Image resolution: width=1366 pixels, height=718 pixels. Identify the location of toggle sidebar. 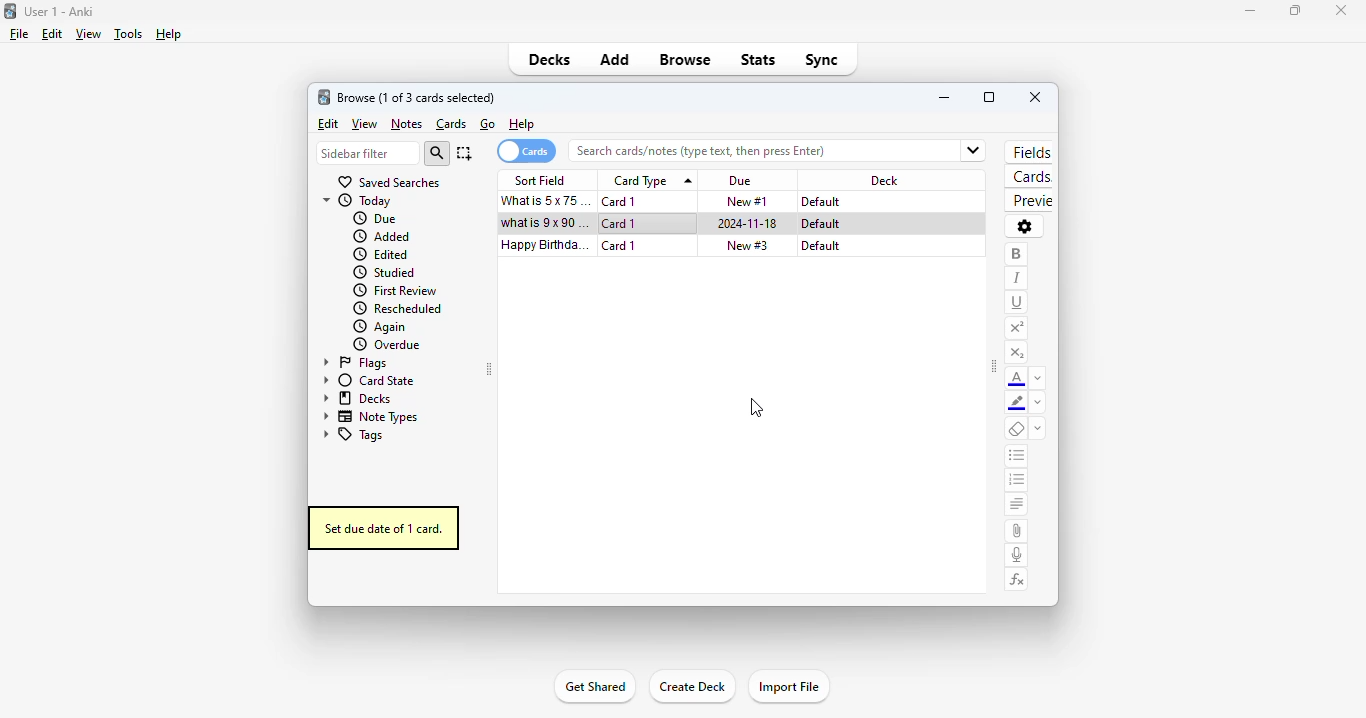
(488, 369).